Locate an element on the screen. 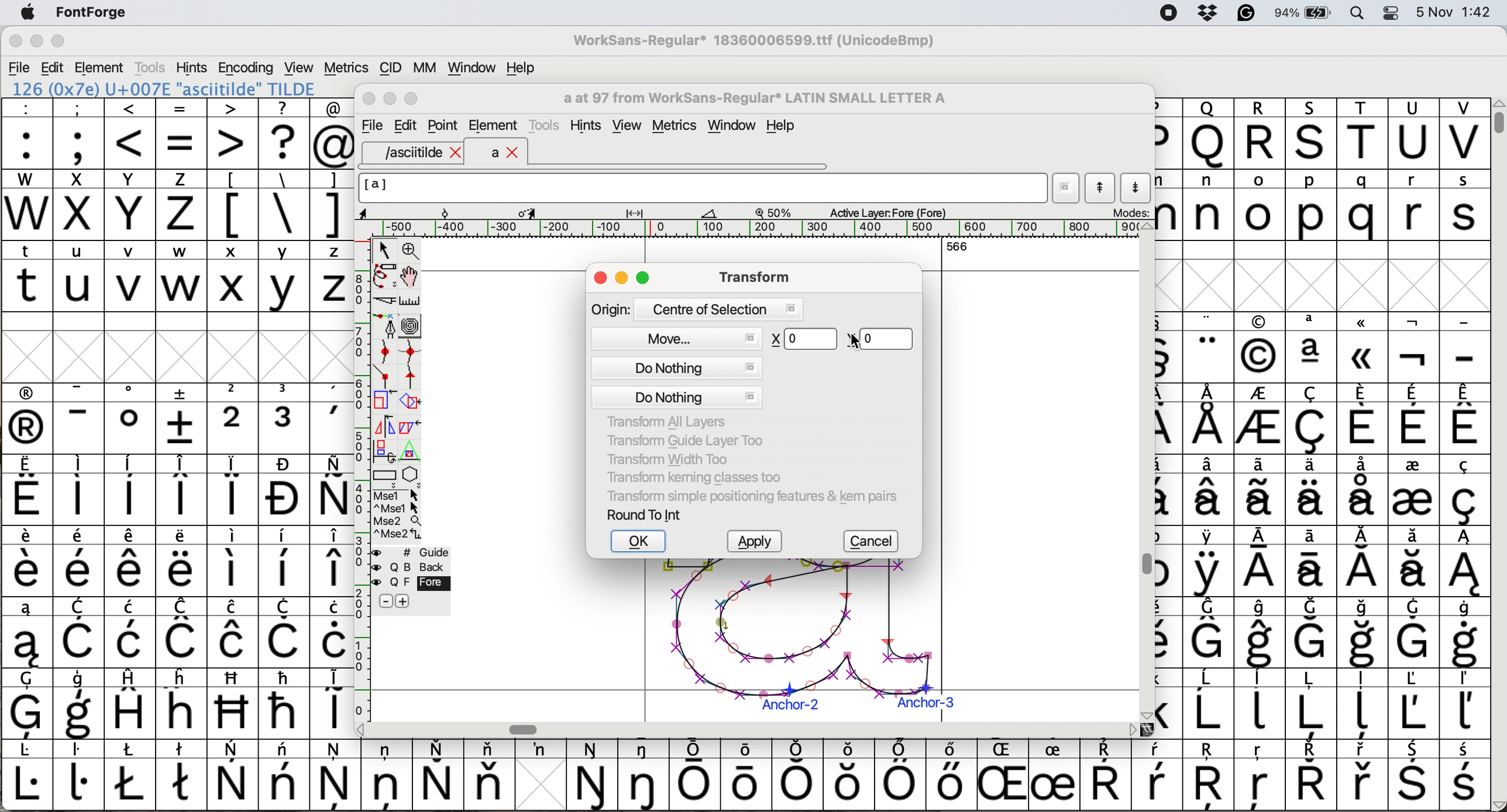 The height and width of the screenshot is (812, 1507). symbol is located at coordinates (25, 633).